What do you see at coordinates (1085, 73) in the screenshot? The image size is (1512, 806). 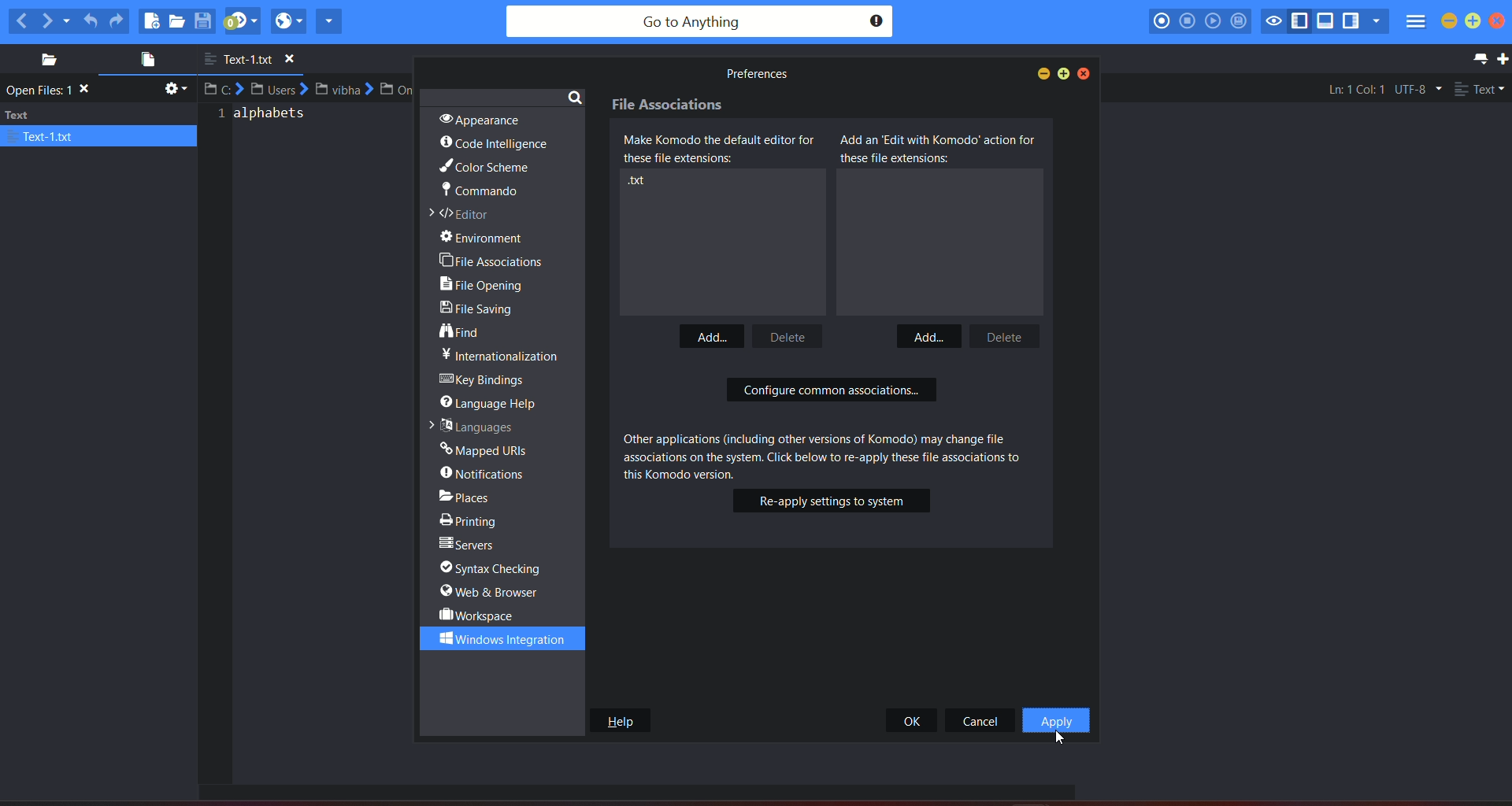 I see `close` at bounding box center [1085, 73].